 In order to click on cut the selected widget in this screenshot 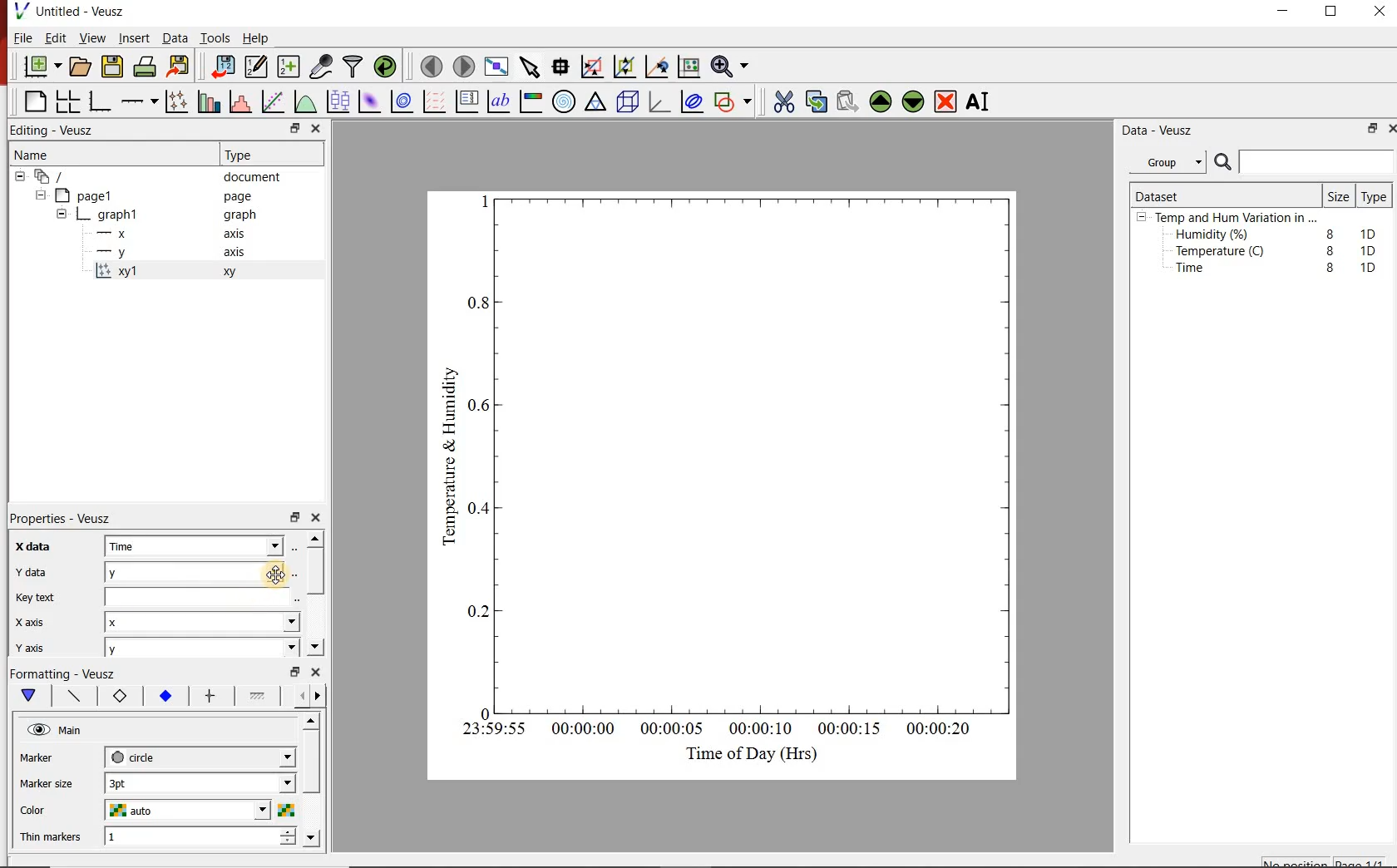, I will do `click(782, 100)`.